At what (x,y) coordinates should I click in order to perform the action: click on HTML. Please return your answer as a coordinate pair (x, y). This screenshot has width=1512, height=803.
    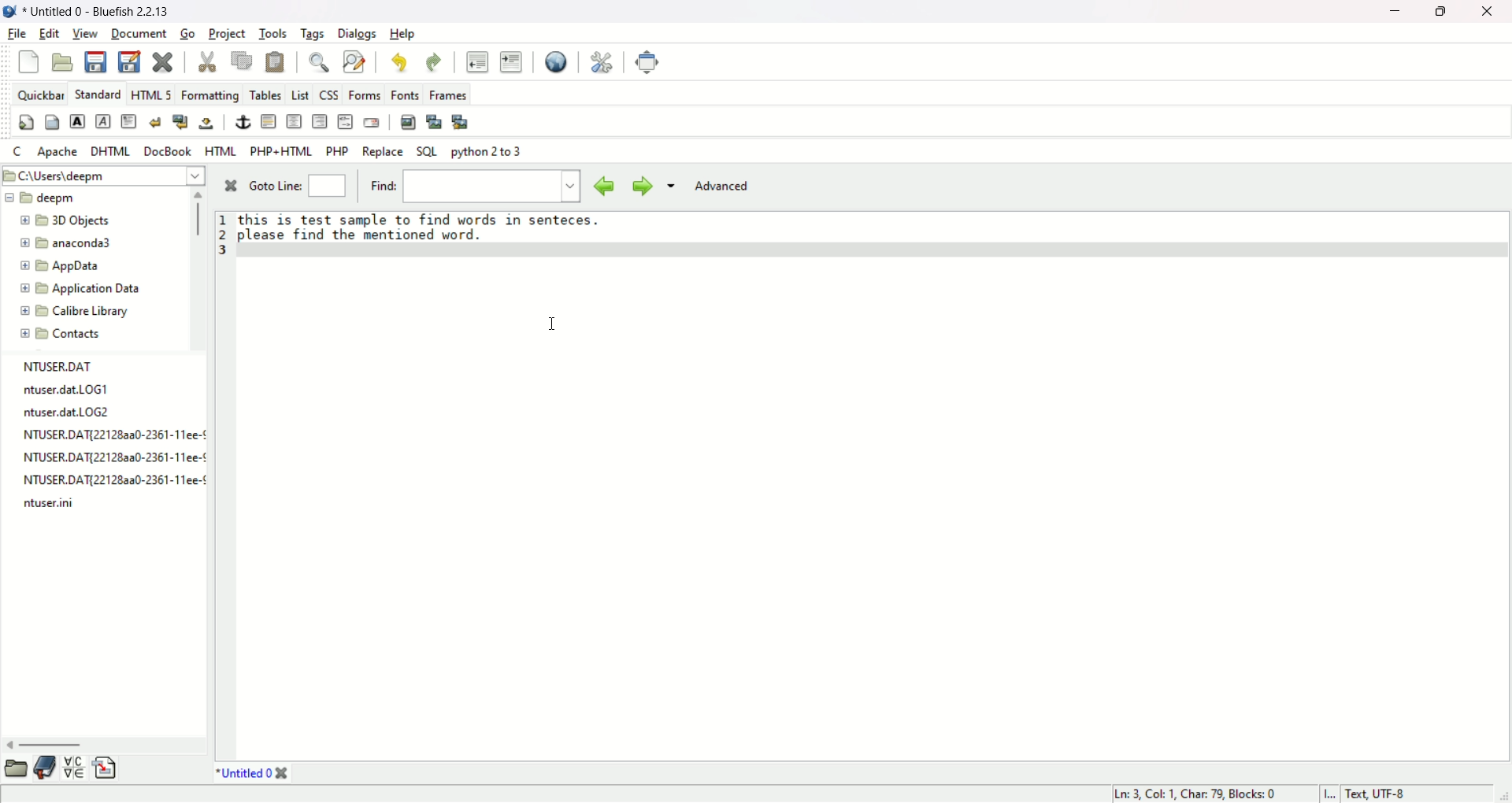
    Looking at the image, I should click on (220, 149).